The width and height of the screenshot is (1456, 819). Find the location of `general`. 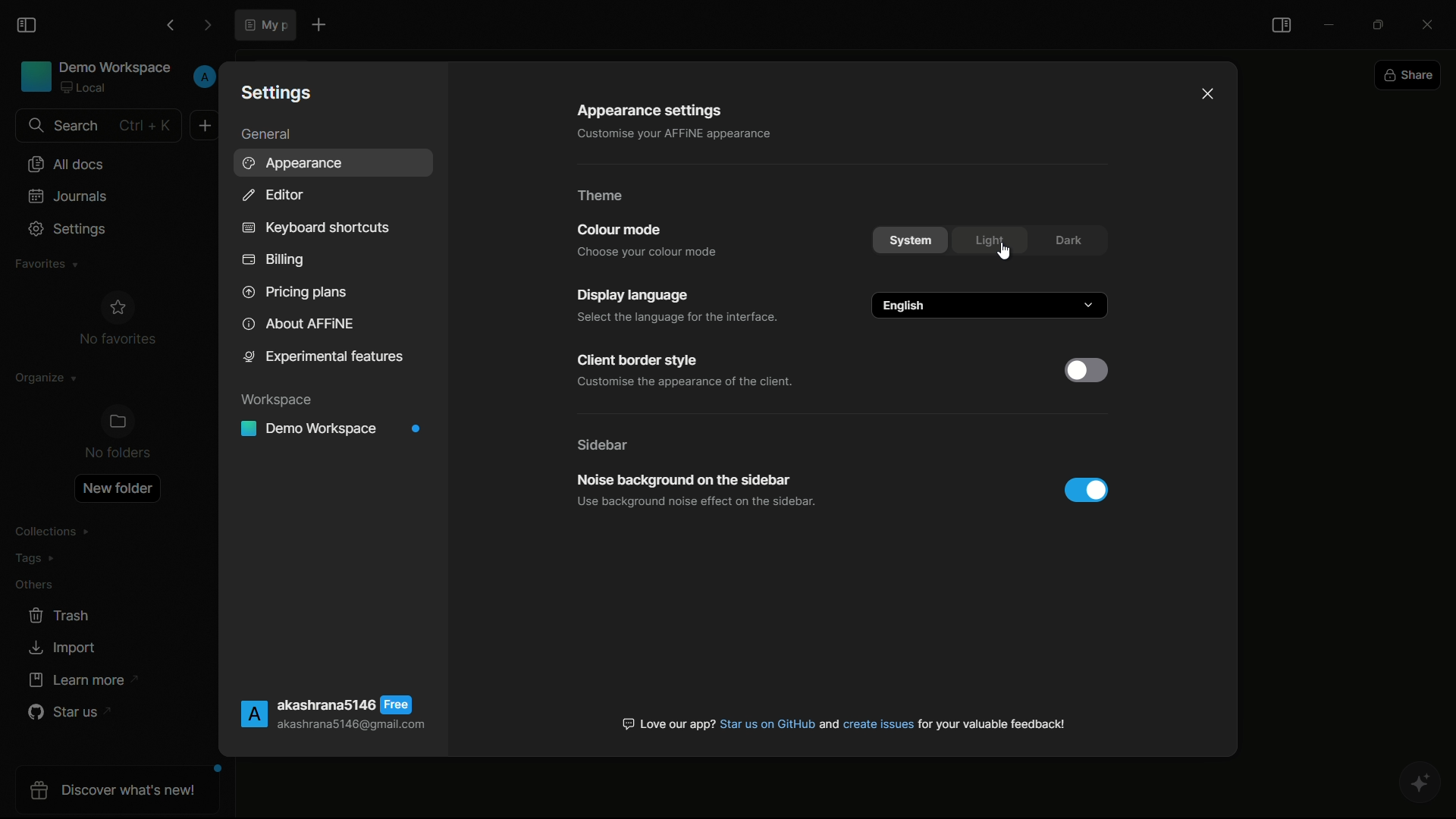

general is located at coordinates (265, 135).